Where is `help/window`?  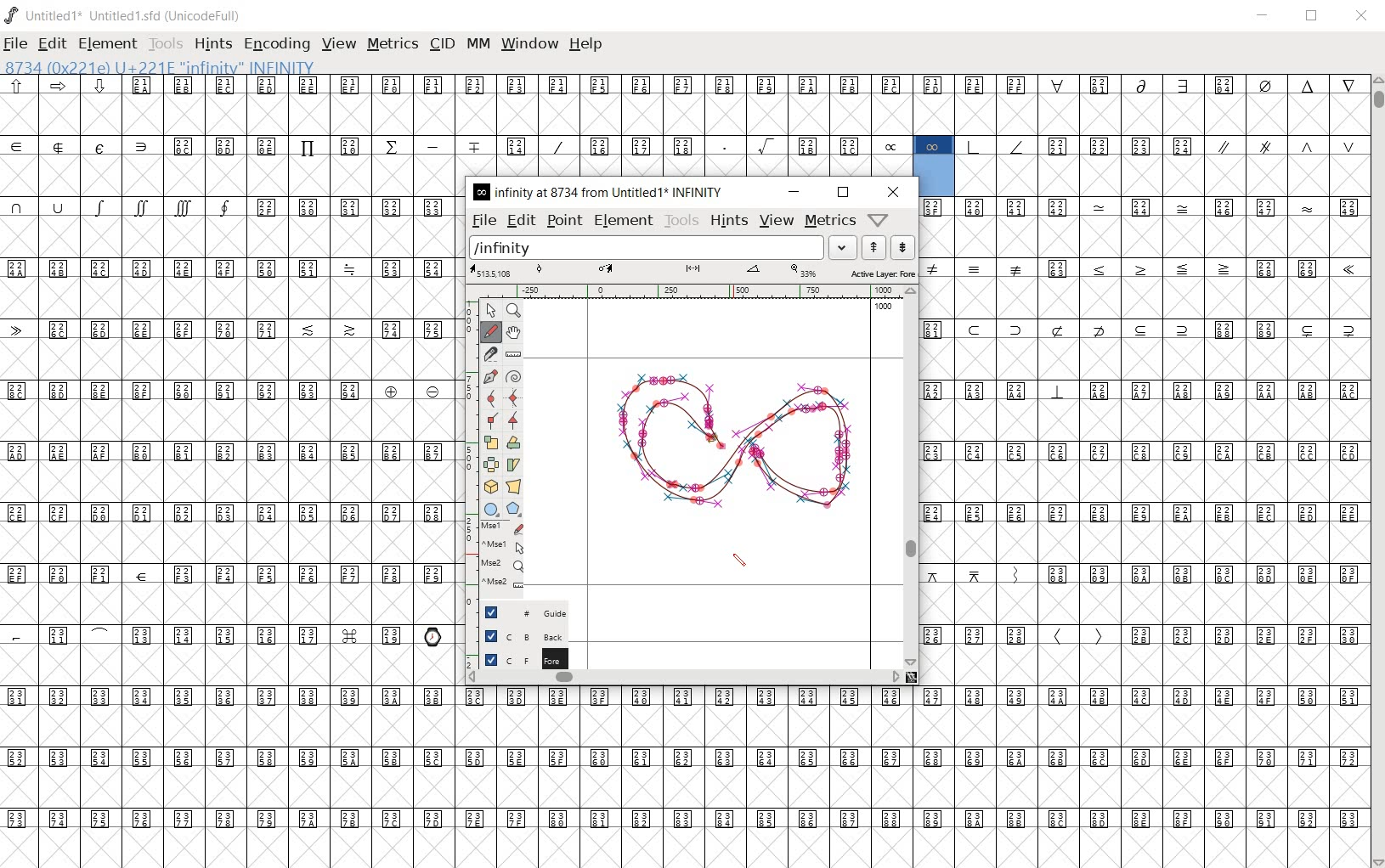
help/window is located at coordinates (880, 218).